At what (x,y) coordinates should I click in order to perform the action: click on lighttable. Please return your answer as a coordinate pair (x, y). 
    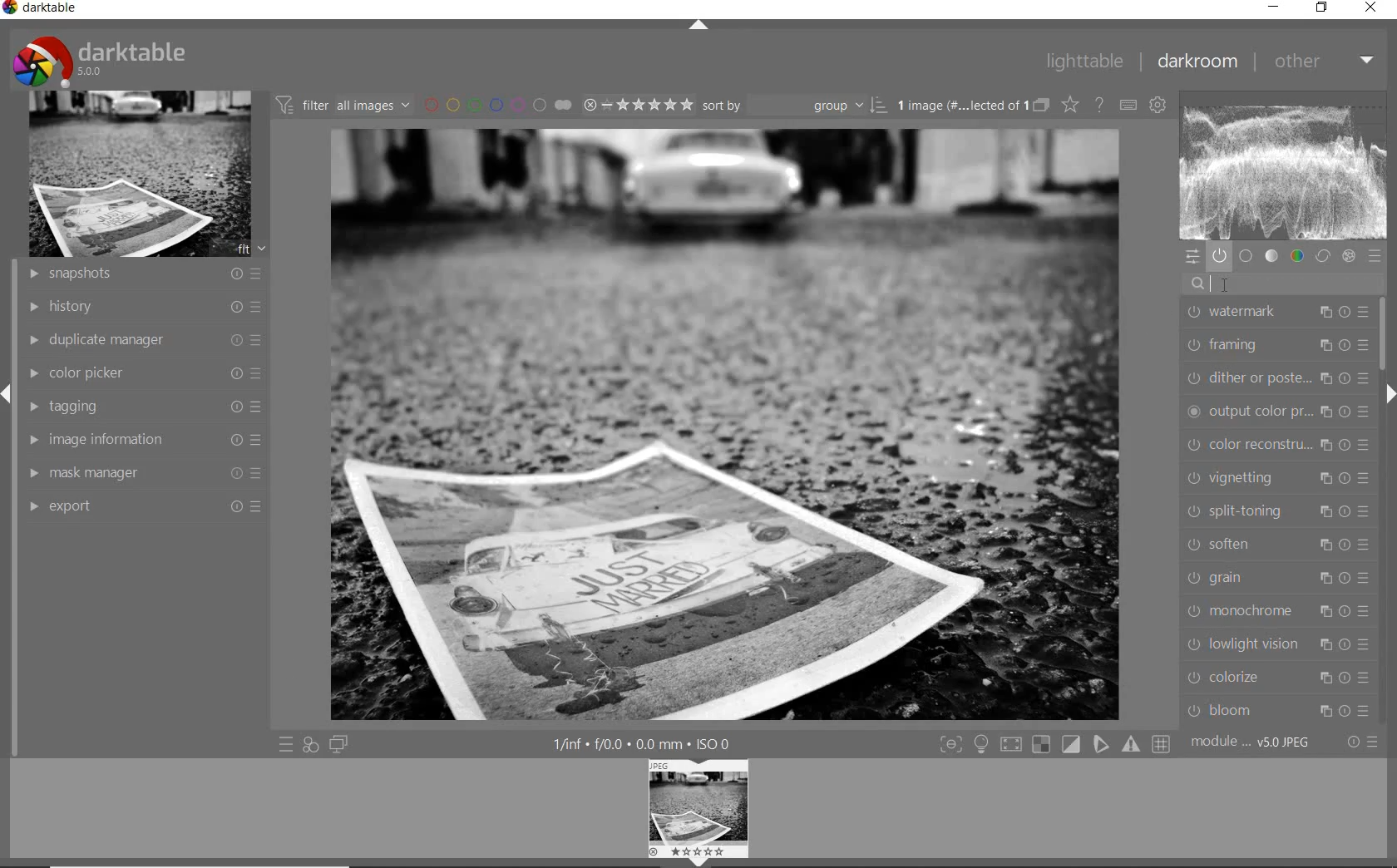
    Looking at the image, I should click on (1085, 62).